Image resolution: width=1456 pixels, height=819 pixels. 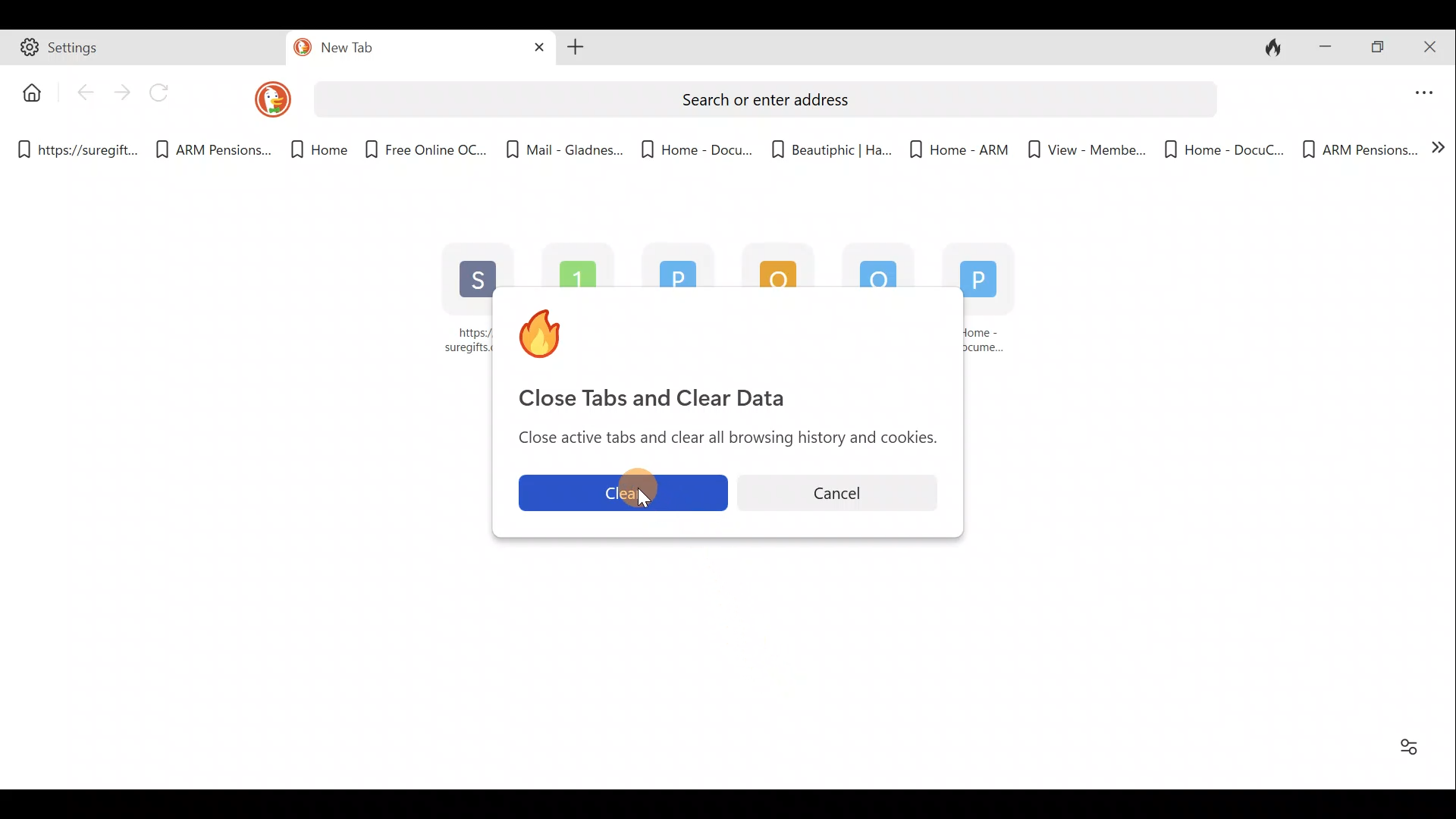 What do you see at coordinates (1439, 152) in the screenshot?
I see `Show more bookmarks` at bounding box center [1439, 152].